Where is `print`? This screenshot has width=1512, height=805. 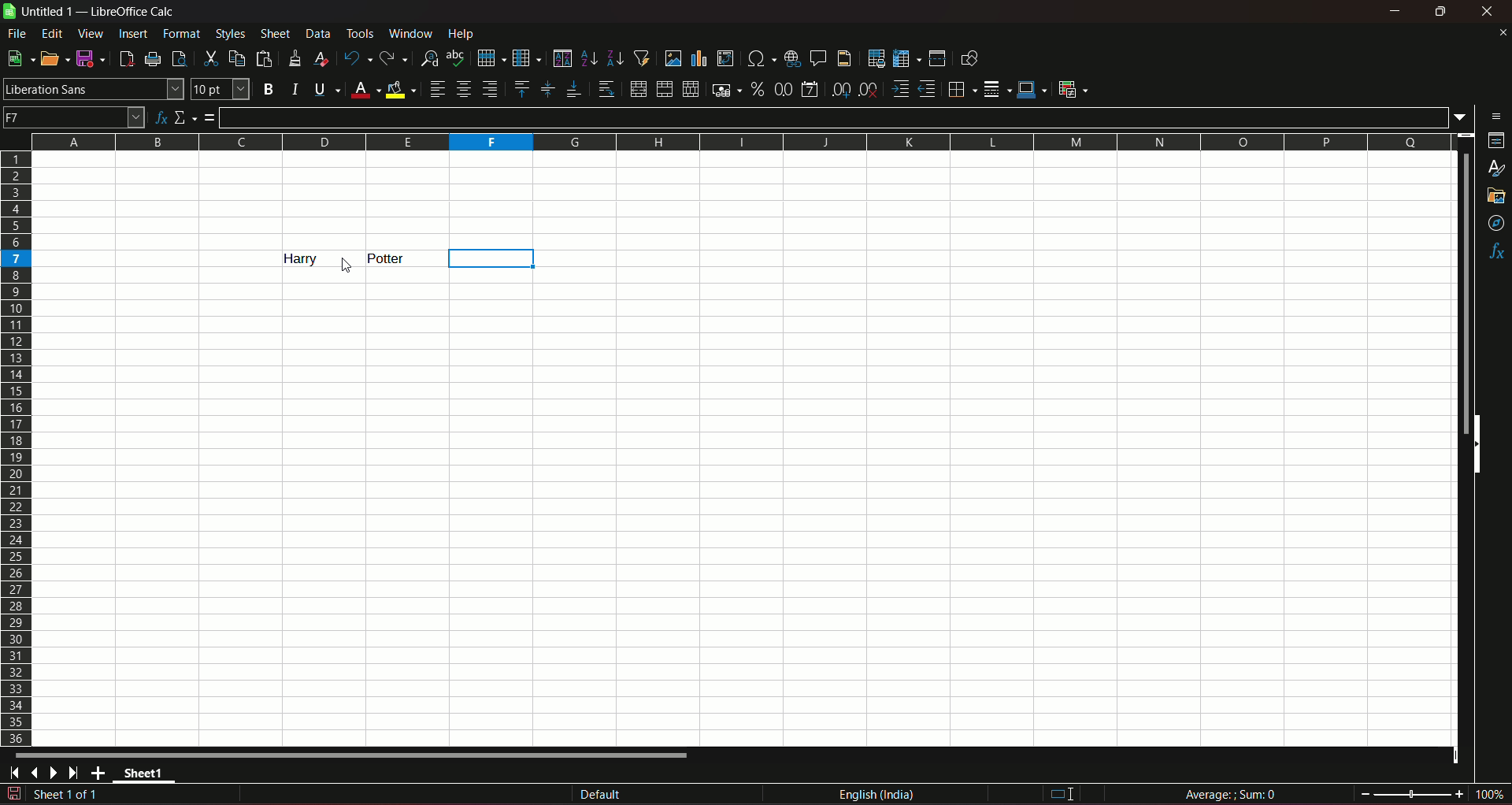 print is located at coordinates (154, 61).